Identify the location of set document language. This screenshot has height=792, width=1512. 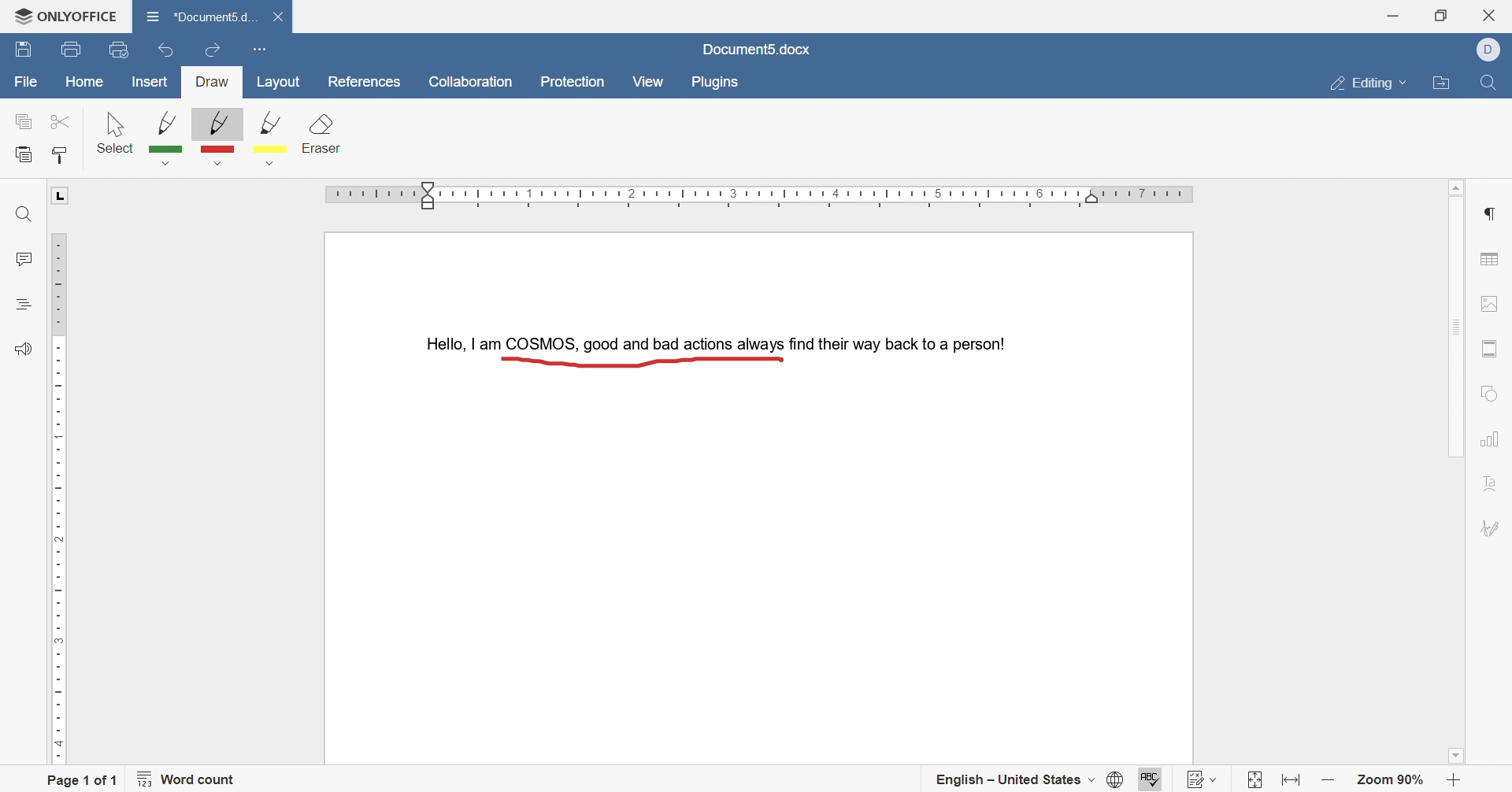
(1113, 781).